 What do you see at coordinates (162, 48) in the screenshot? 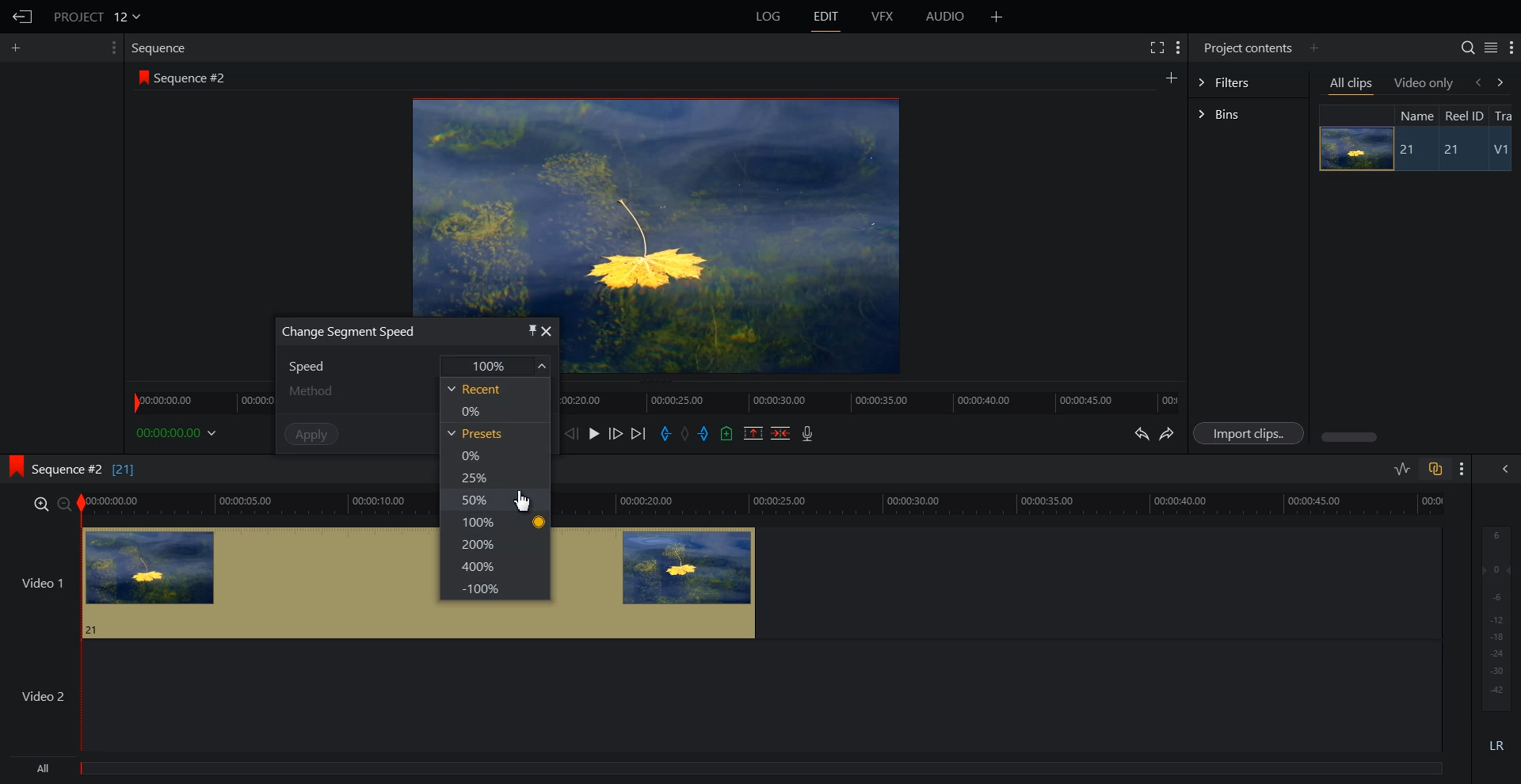
I see `Sequence` at bounding box center [162, 48].